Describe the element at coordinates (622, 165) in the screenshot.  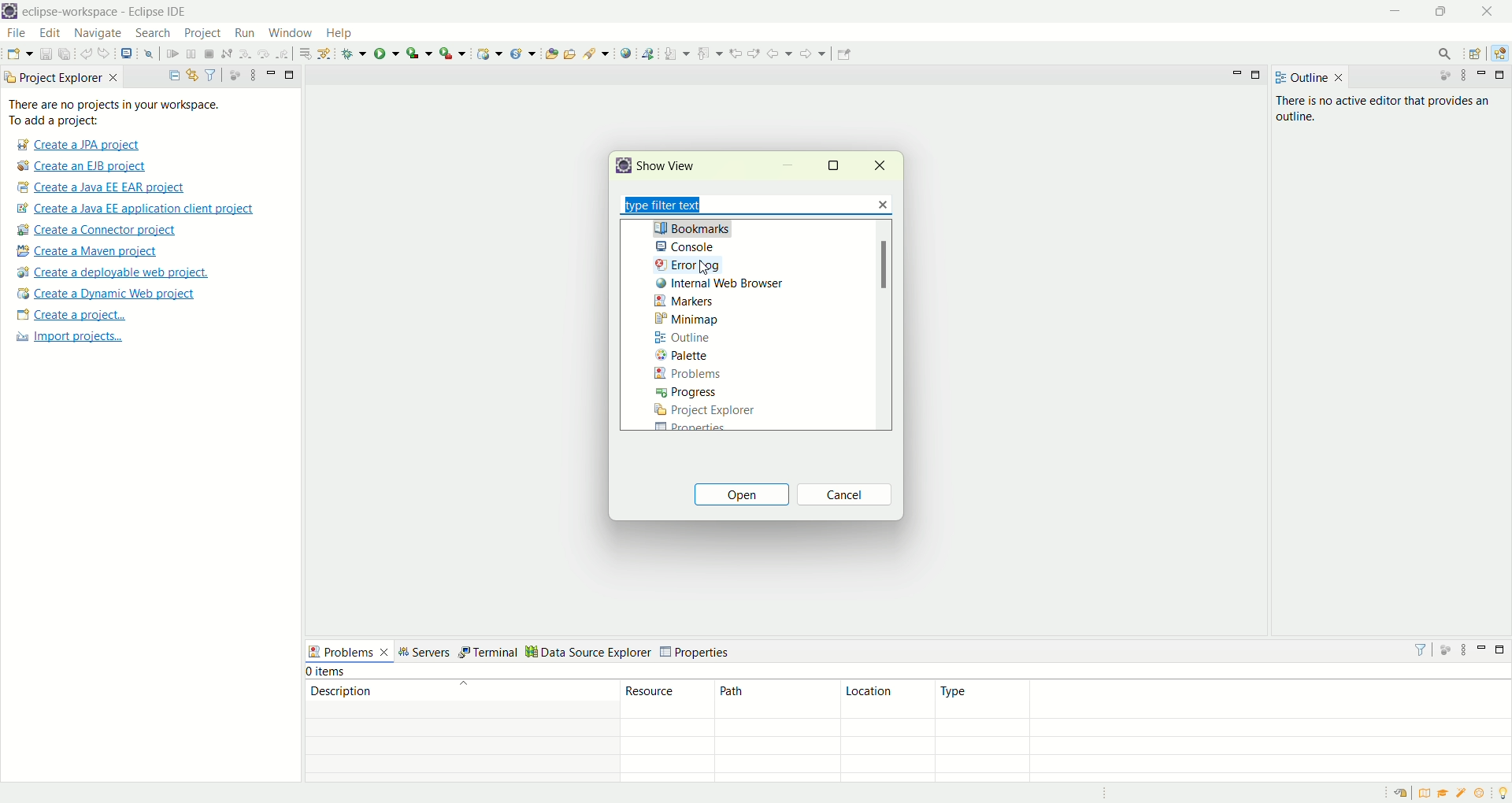
I see `logo` at that location.